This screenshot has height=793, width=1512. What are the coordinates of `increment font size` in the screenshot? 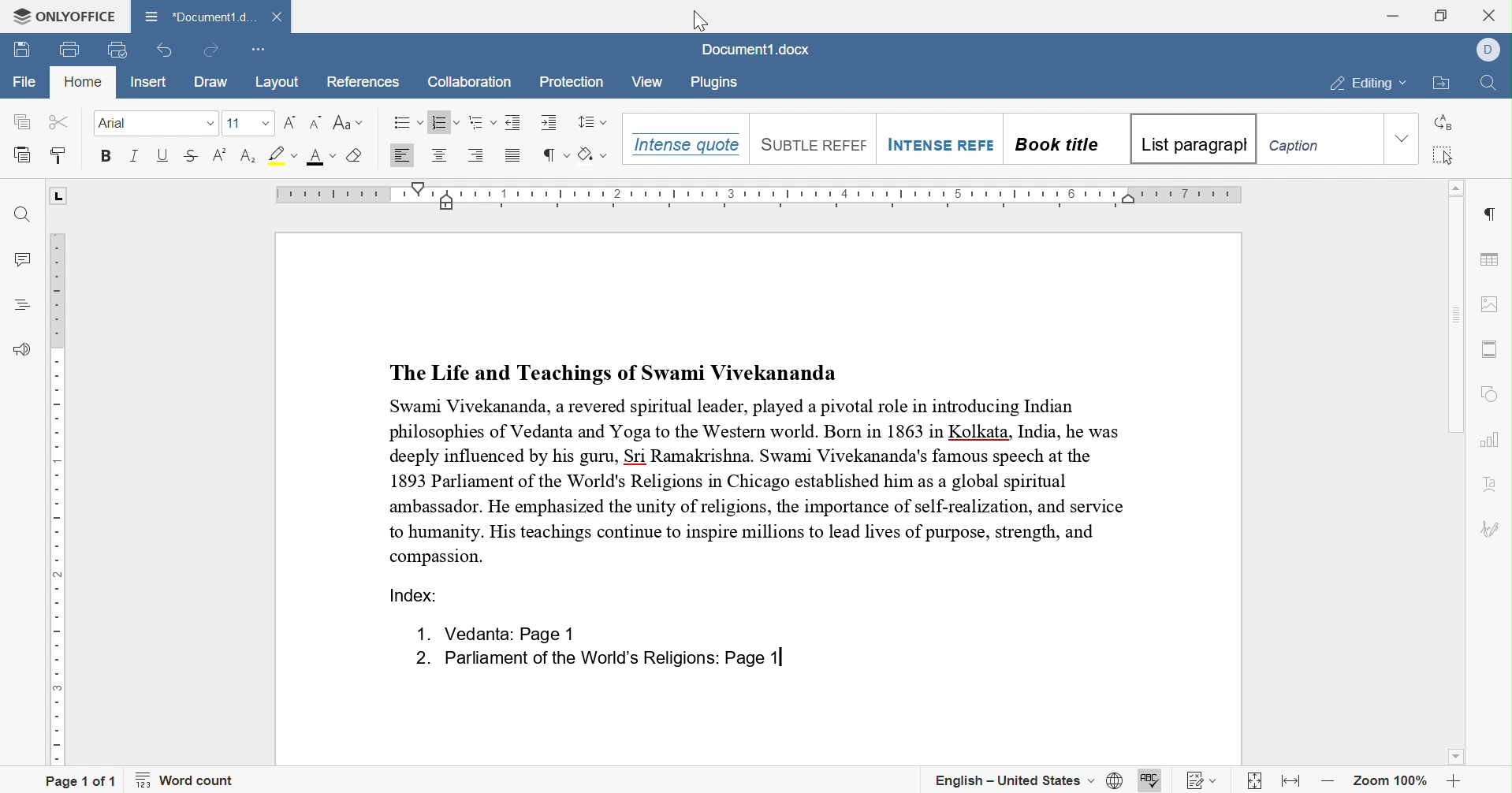 It's located at (289, 123).